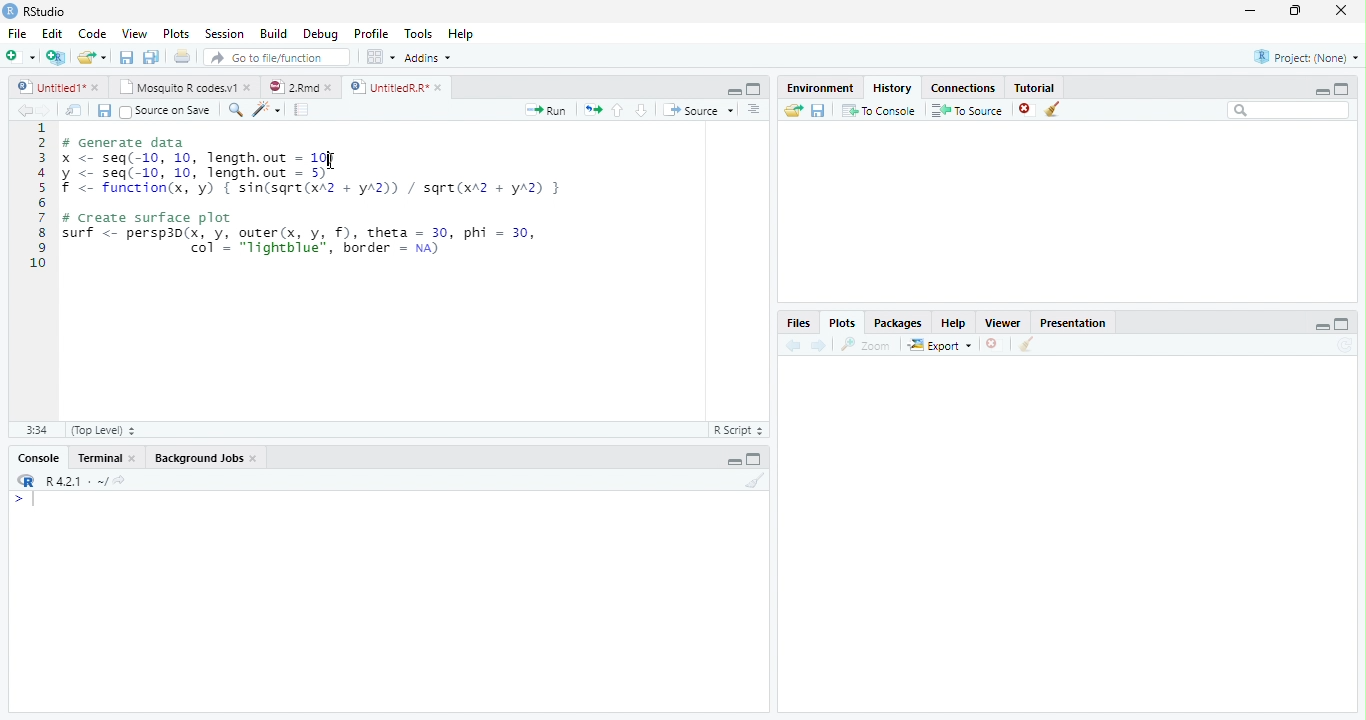 This screenshot has width=1366, height=720. I want to click on Close, so click(133, 458).